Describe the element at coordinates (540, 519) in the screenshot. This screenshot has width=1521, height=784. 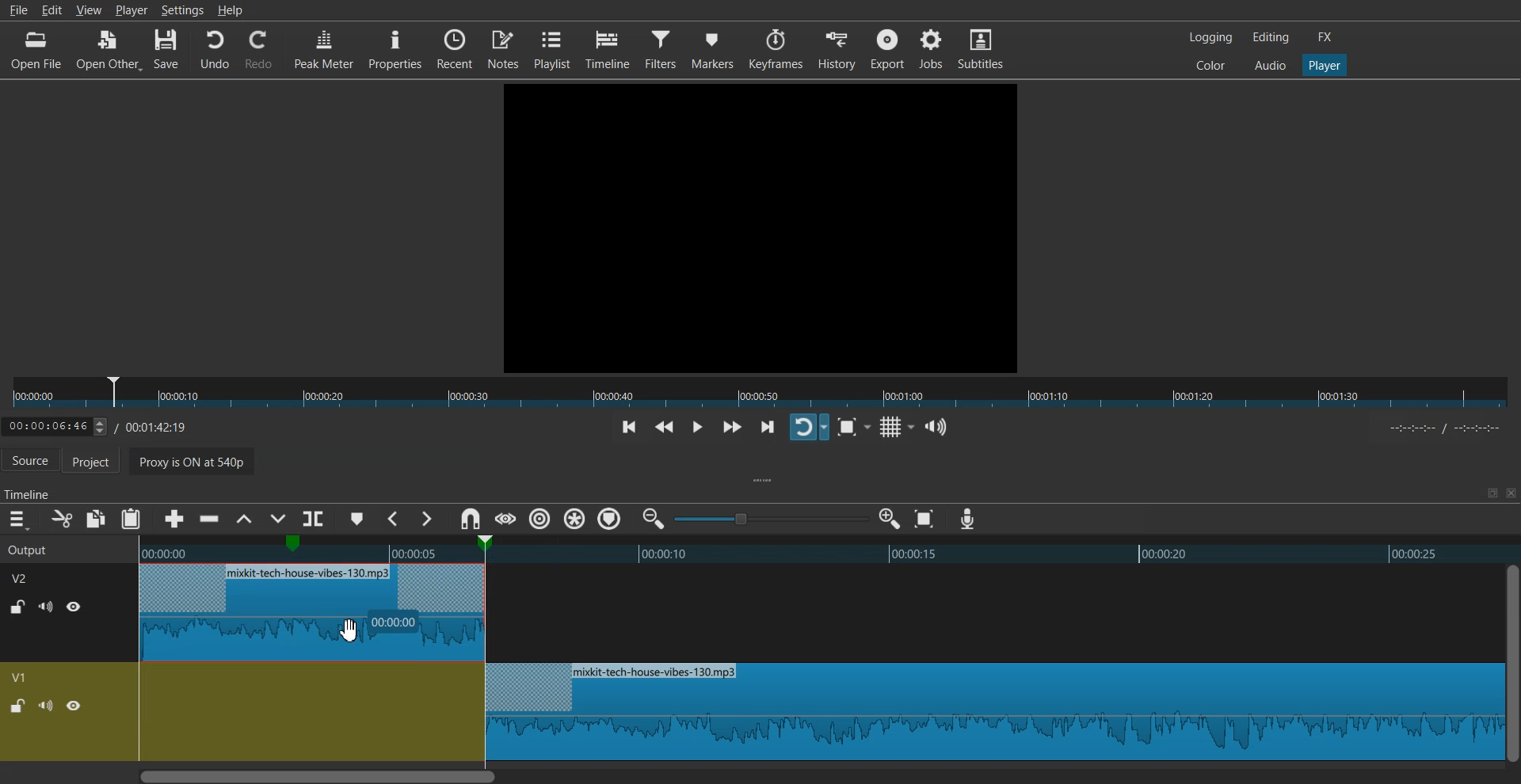
I see `Ripple` at that location.